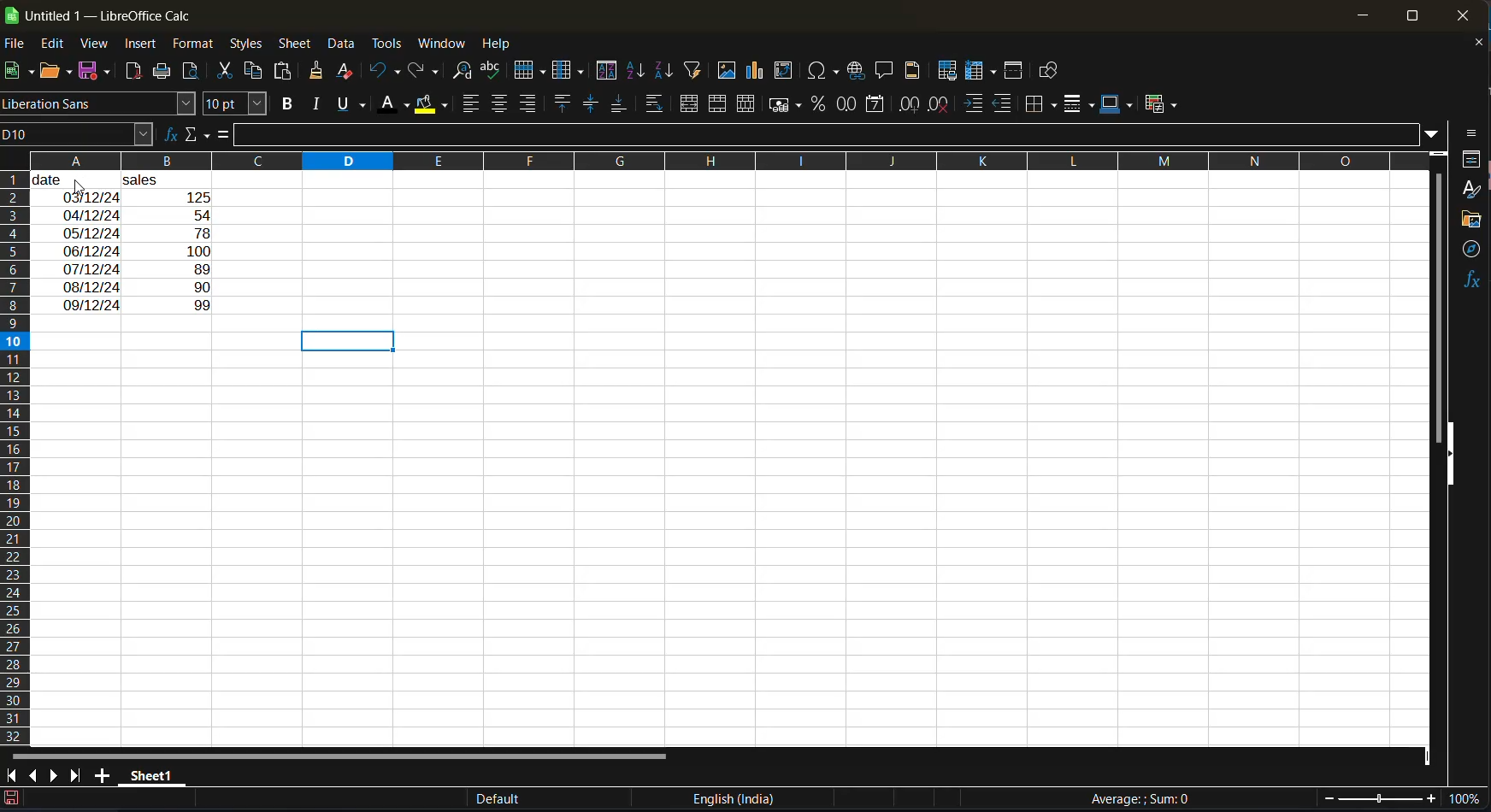 Image resolution: width=1491 pixels, height=812 pixels. What do you see at coordinates (239, 104) in the screenshot?
I see `font size` at bounding box center [239, 104].